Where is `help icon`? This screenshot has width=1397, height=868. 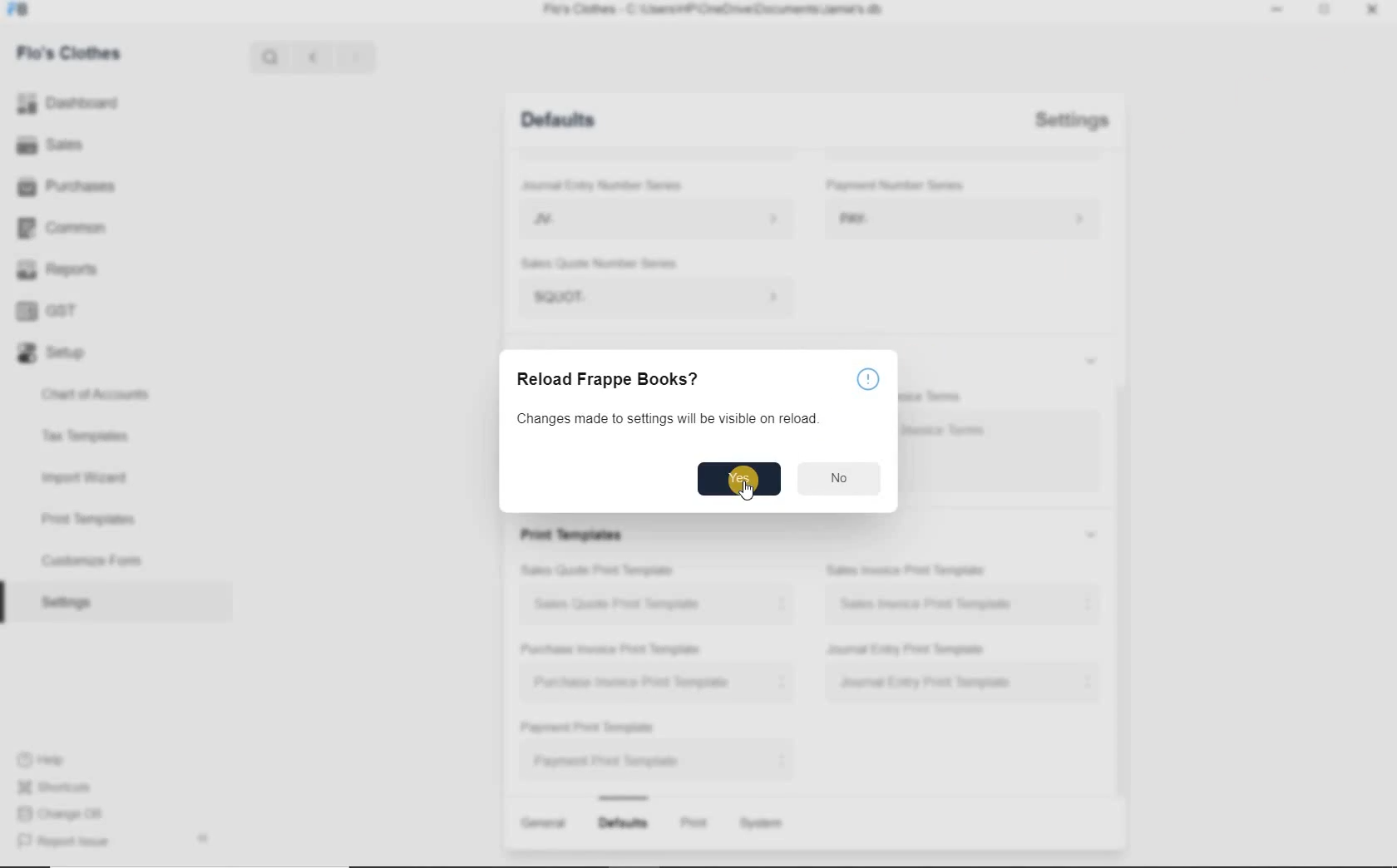 help icon is located at coordinates (869, 377).